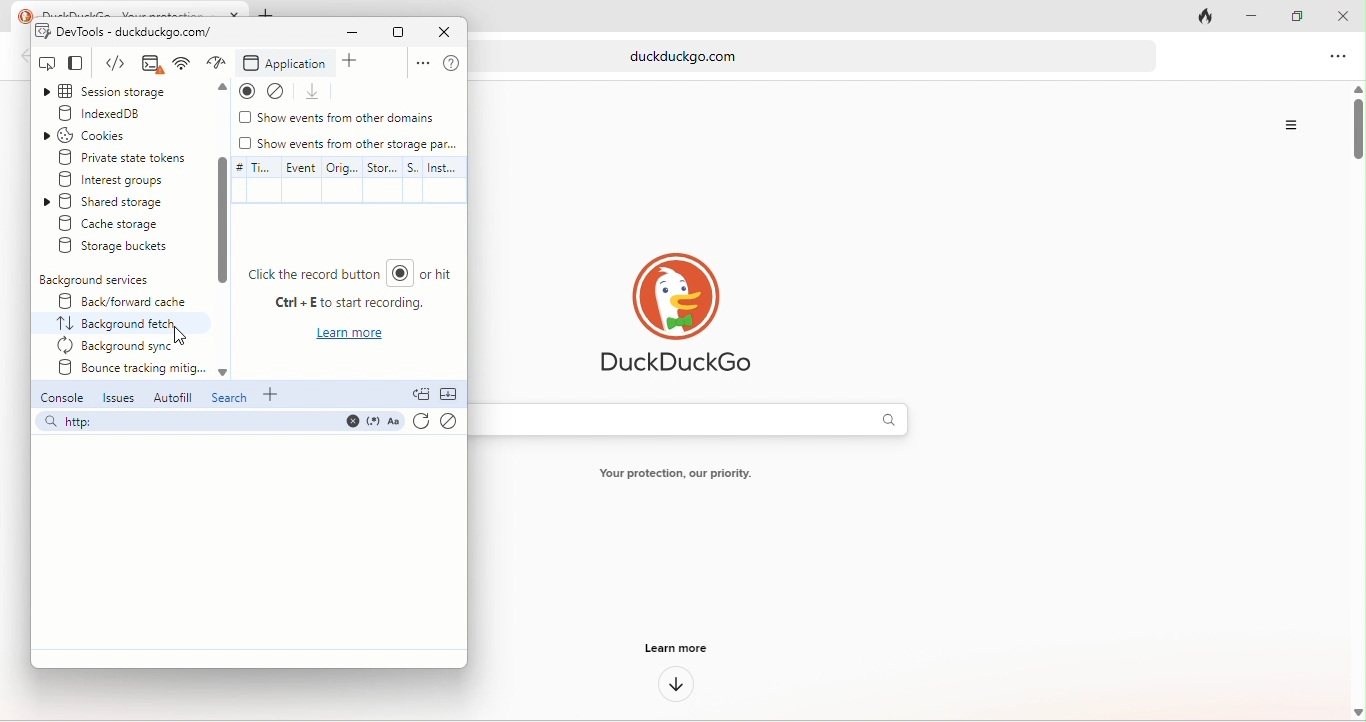 The image size is (1366, 722). What do you see at coordinates (124, 224) in the screenshot?
I see `create storage` at bounding box center [124, 224].